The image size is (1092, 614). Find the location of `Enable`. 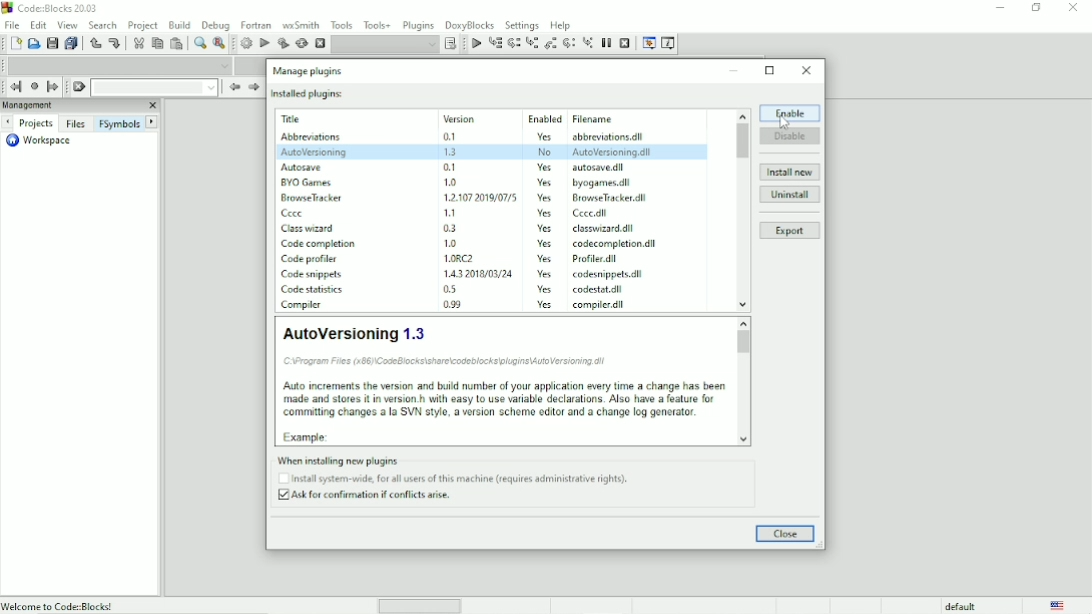

Enable is located at coordinates (790, 113).